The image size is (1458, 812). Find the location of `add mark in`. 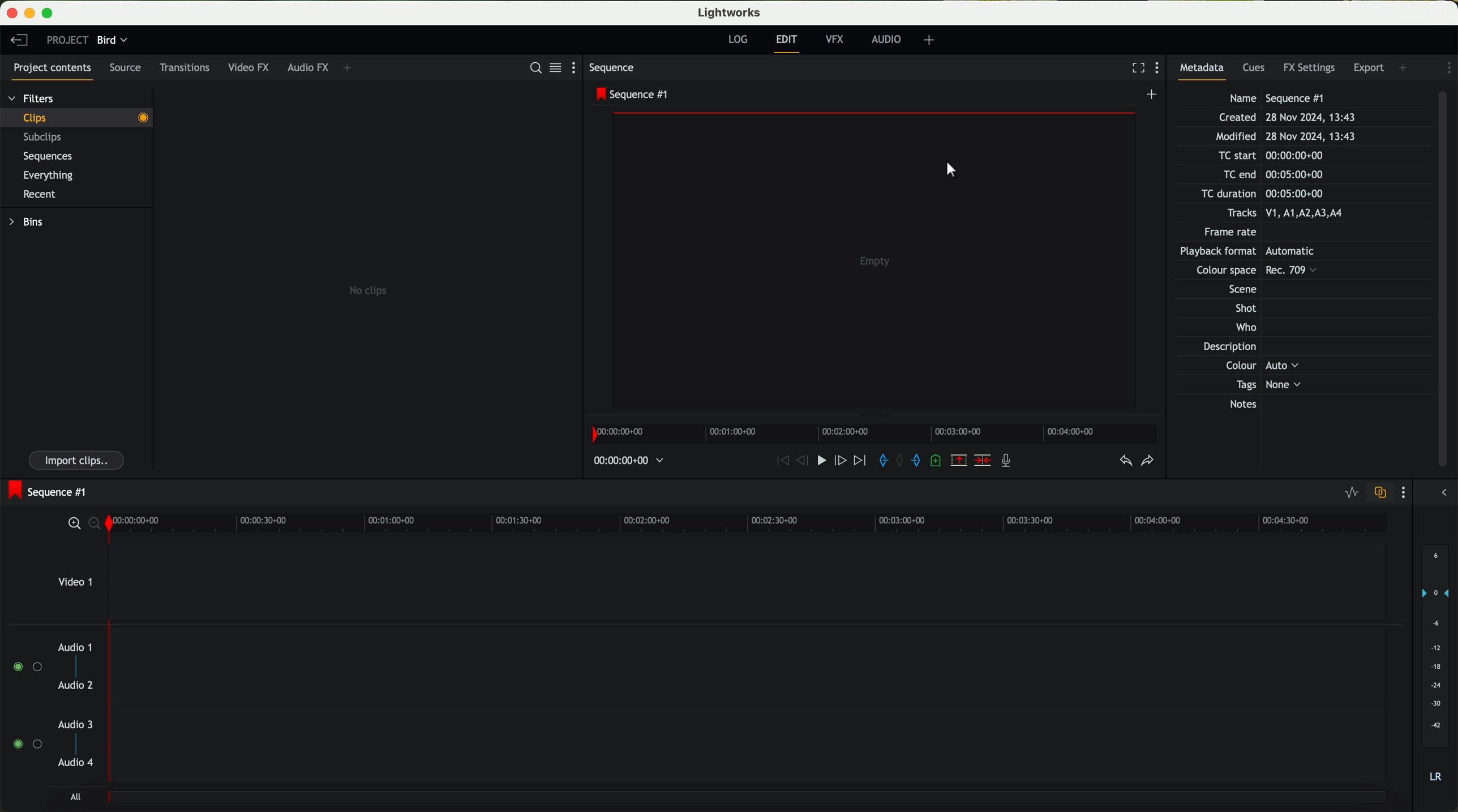

add mark in is located at coordinates (882, 462).